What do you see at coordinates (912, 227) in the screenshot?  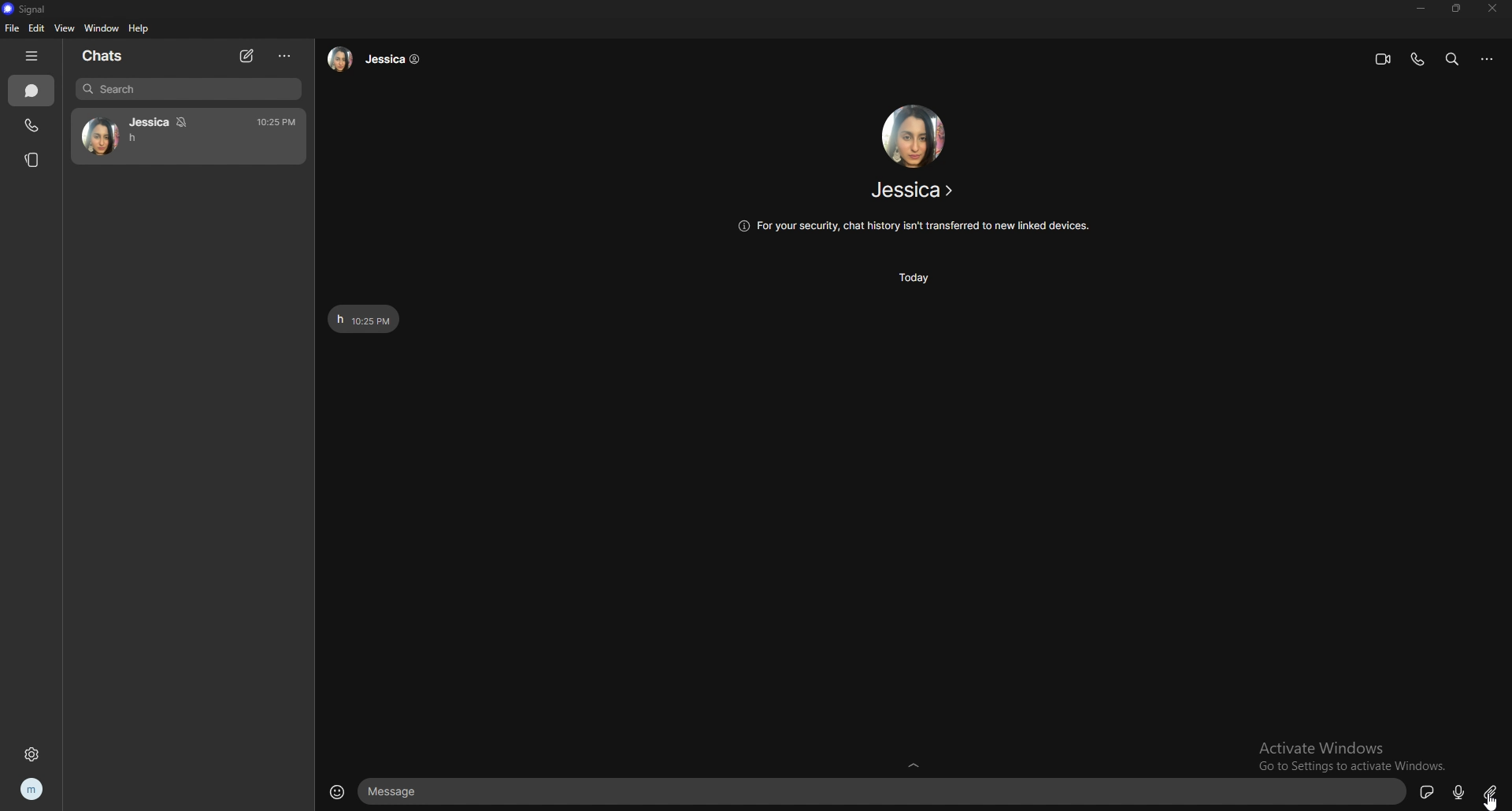 I see `info` at bounding box center [912, 227].